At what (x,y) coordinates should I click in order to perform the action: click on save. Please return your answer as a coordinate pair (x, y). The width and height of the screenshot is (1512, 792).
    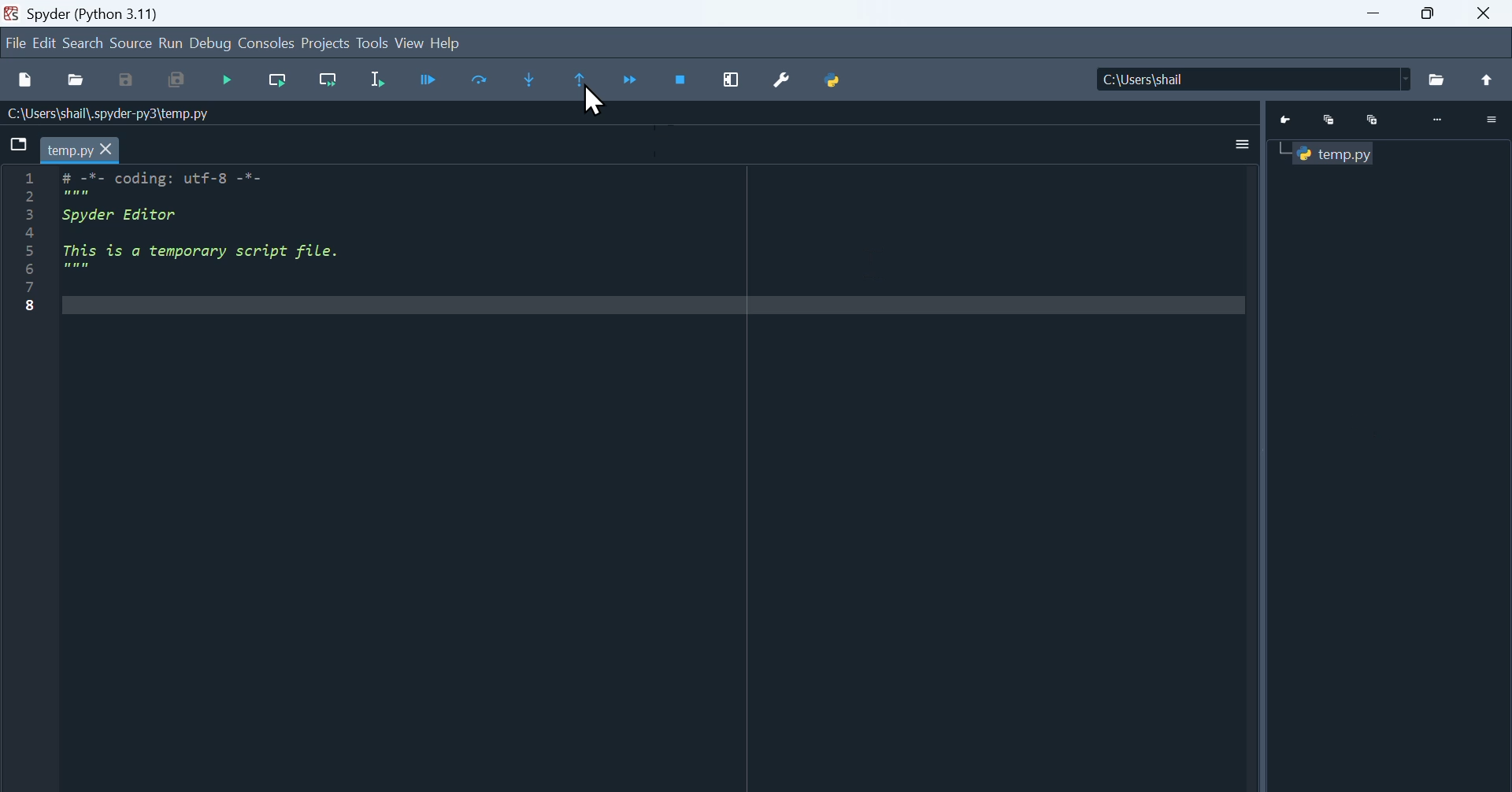
    Looking at the image, I should click on (128, 80).